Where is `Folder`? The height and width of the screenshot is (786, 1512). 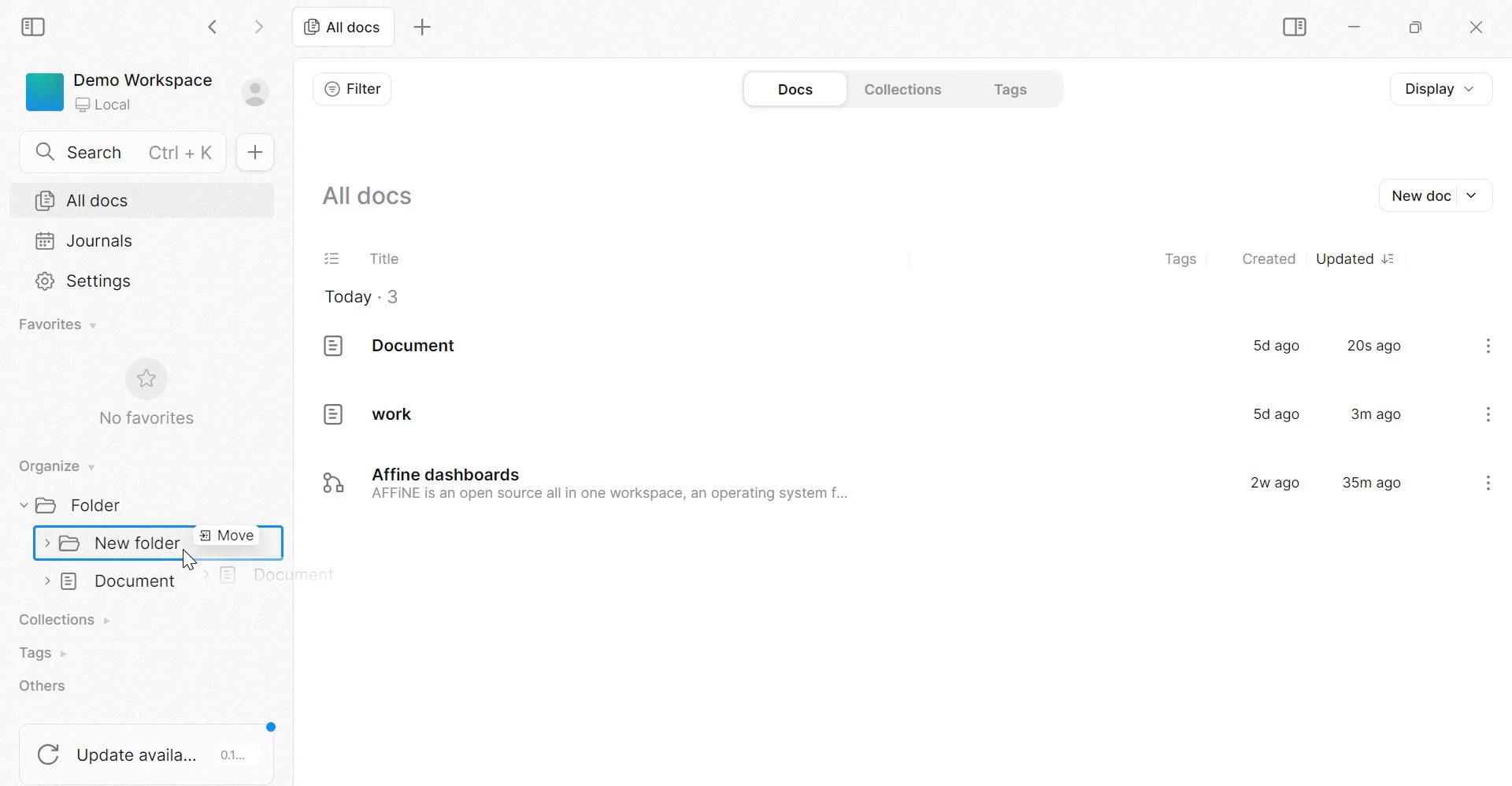 Folder is located at coordinates (77, 506).